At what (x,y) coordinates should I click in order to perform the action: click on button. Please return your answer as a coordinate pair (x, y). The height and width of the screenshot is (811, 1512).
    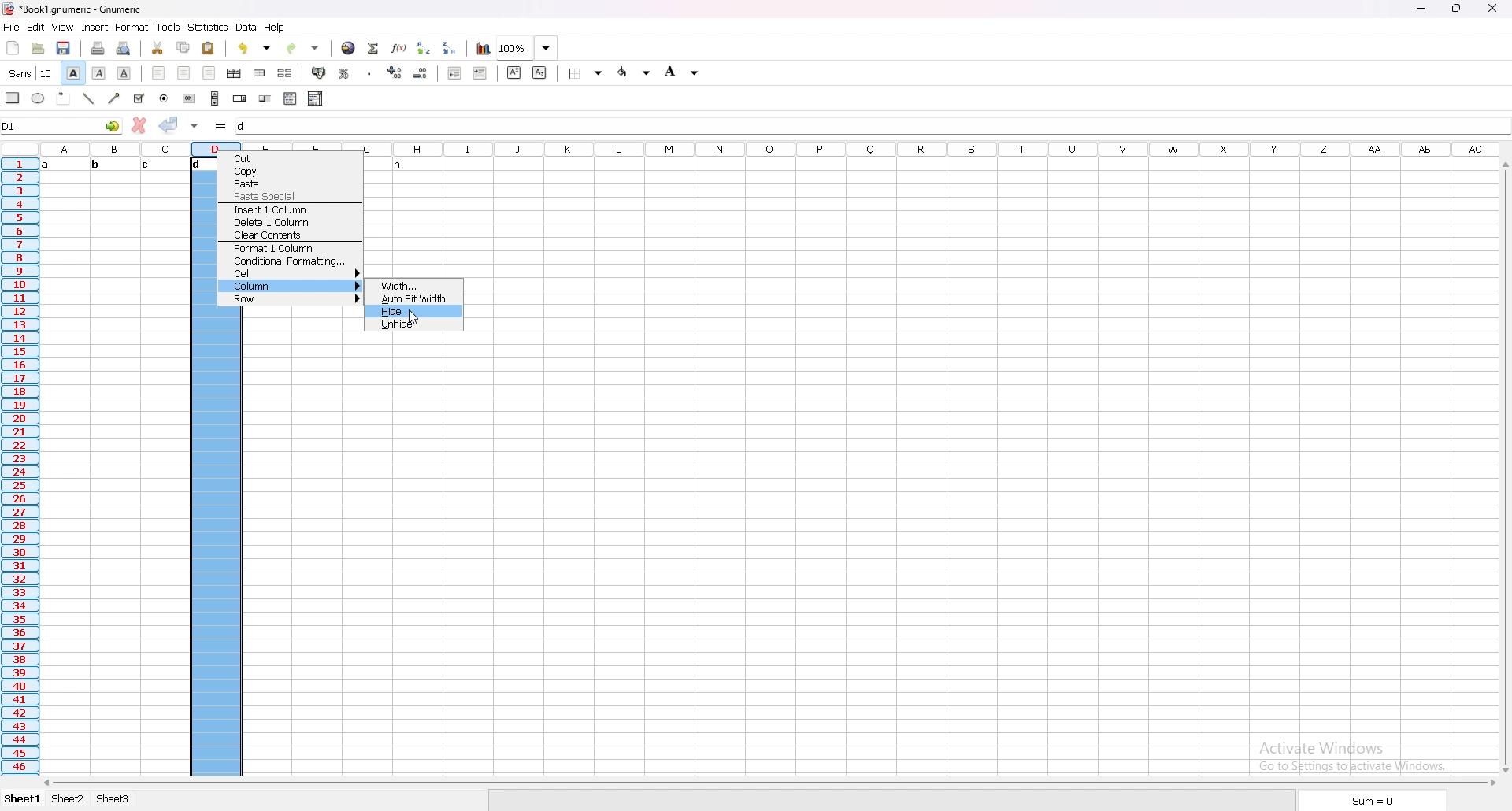
    Looking at the image, I should click on (190, 98).